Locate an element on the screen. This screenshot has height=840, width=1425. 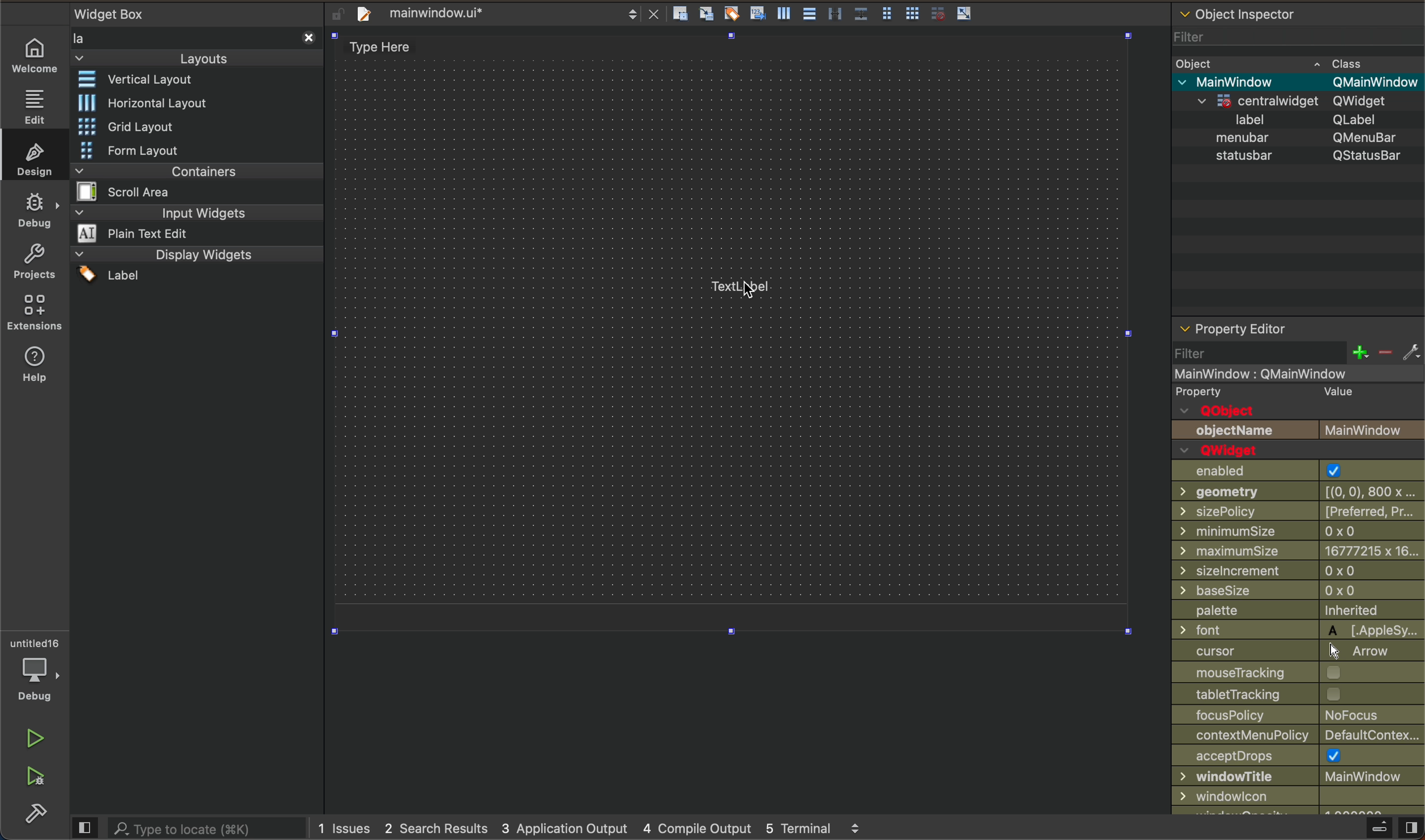
size increment  is located at coordinates (1298, 570).